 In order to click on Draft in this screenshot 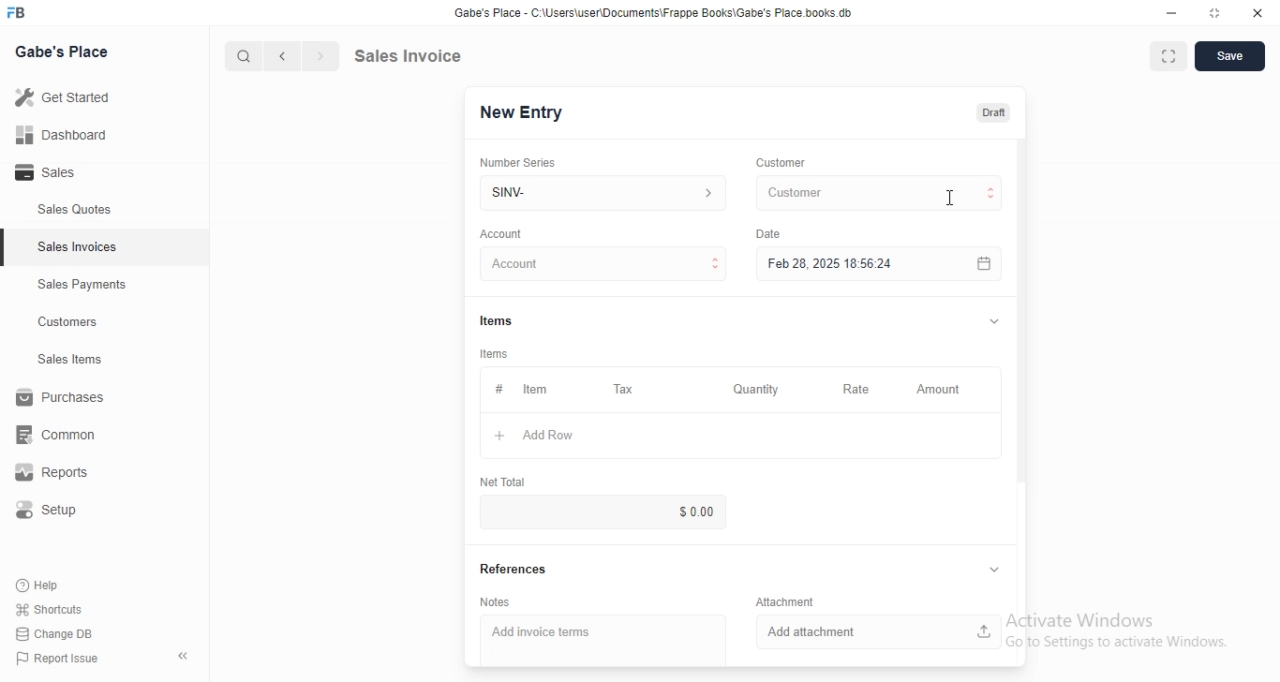, I will do `click(995, 113)`.